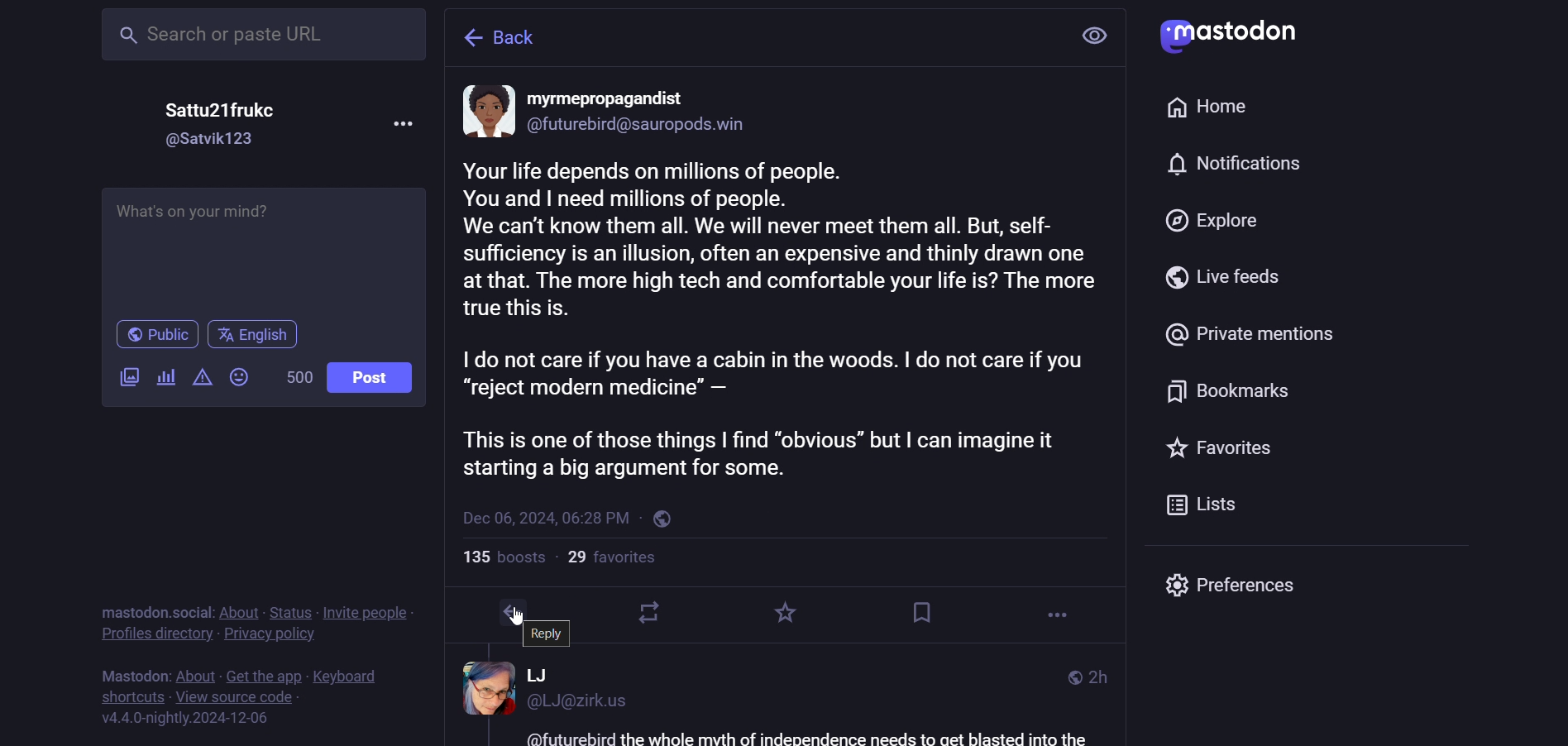 The width and height of the screenshot is (1568, 746). I want to click on invite people, so click(370, 612).